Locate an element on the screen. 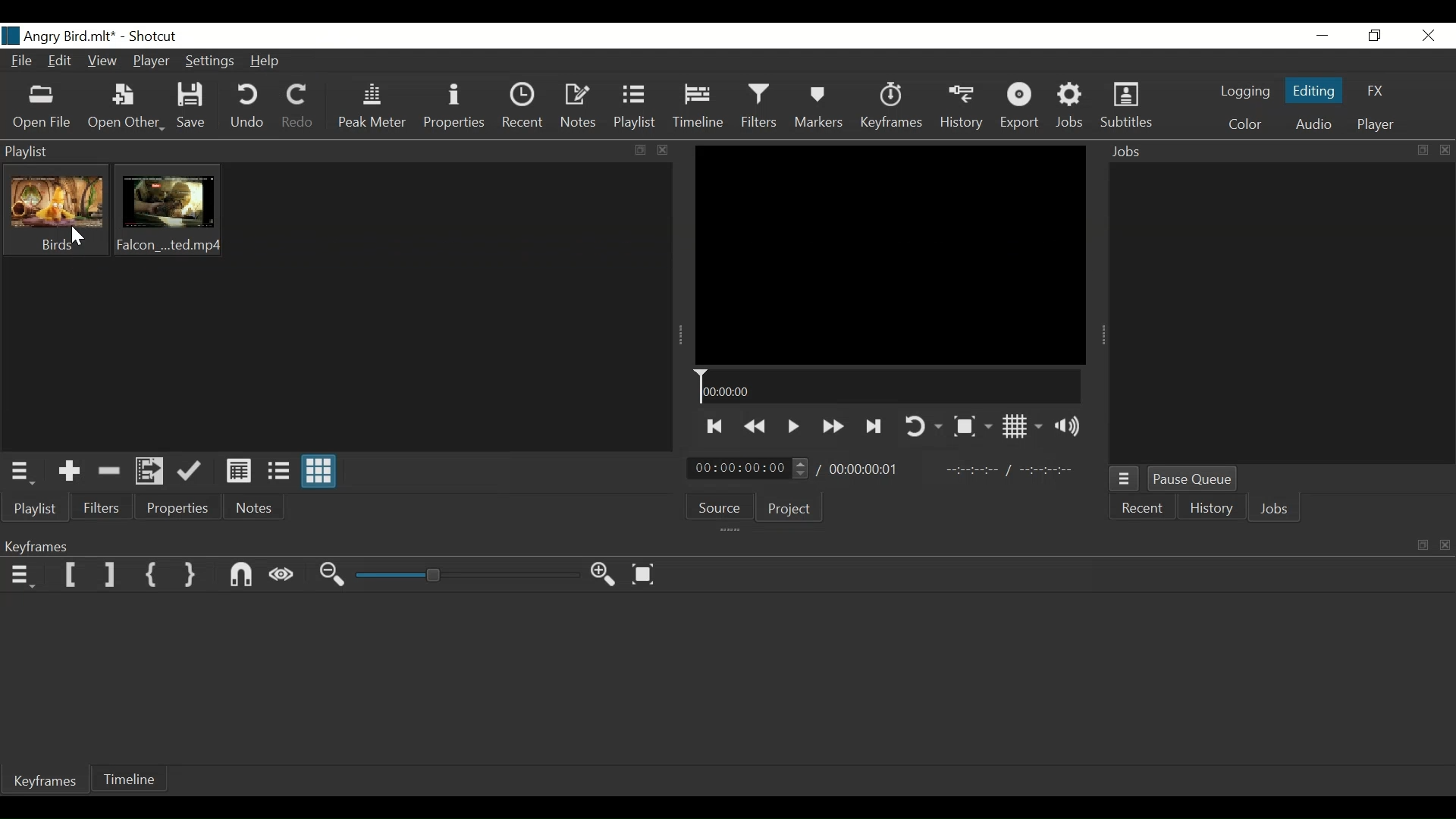 The width and height of the screenshot is (1456, 819). View as Detail is located at coordinates (242, 472).